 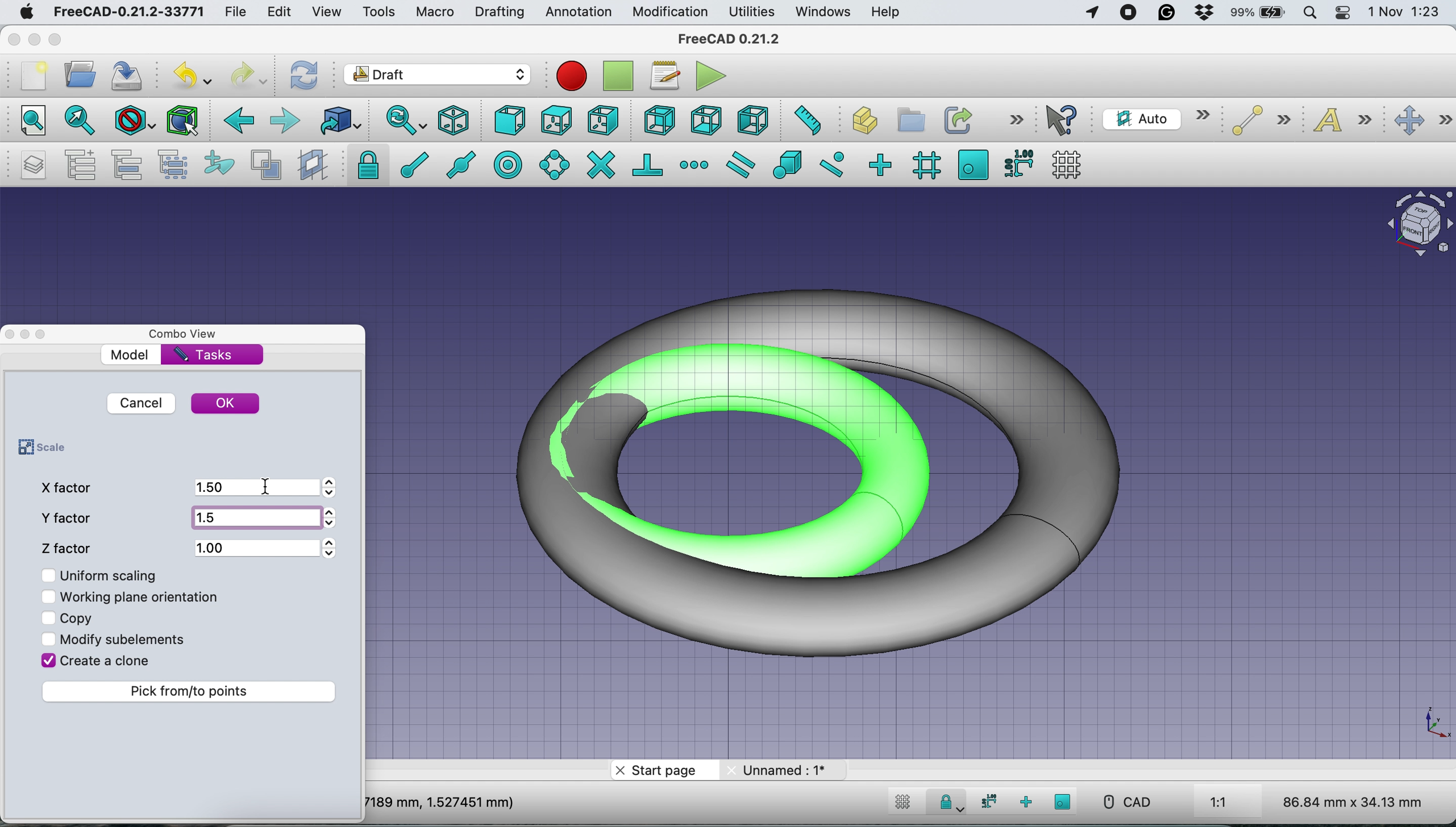 What do you see at coordinates (311, 164) in the screenshot?
I see `create working plane proxy` at bounding box center [311, 164].